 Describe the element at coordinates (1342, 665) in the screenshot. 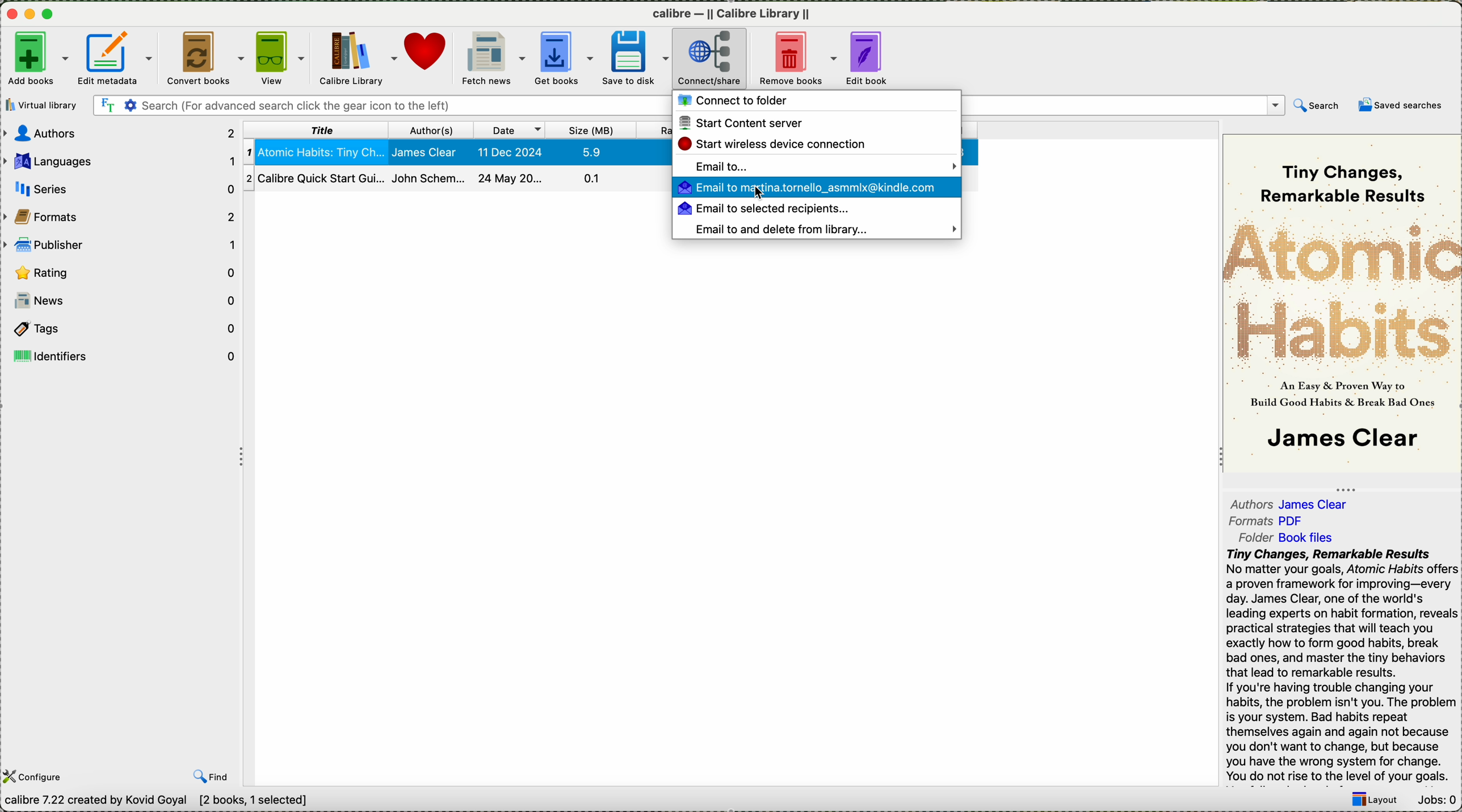

I see `summary` at that location.